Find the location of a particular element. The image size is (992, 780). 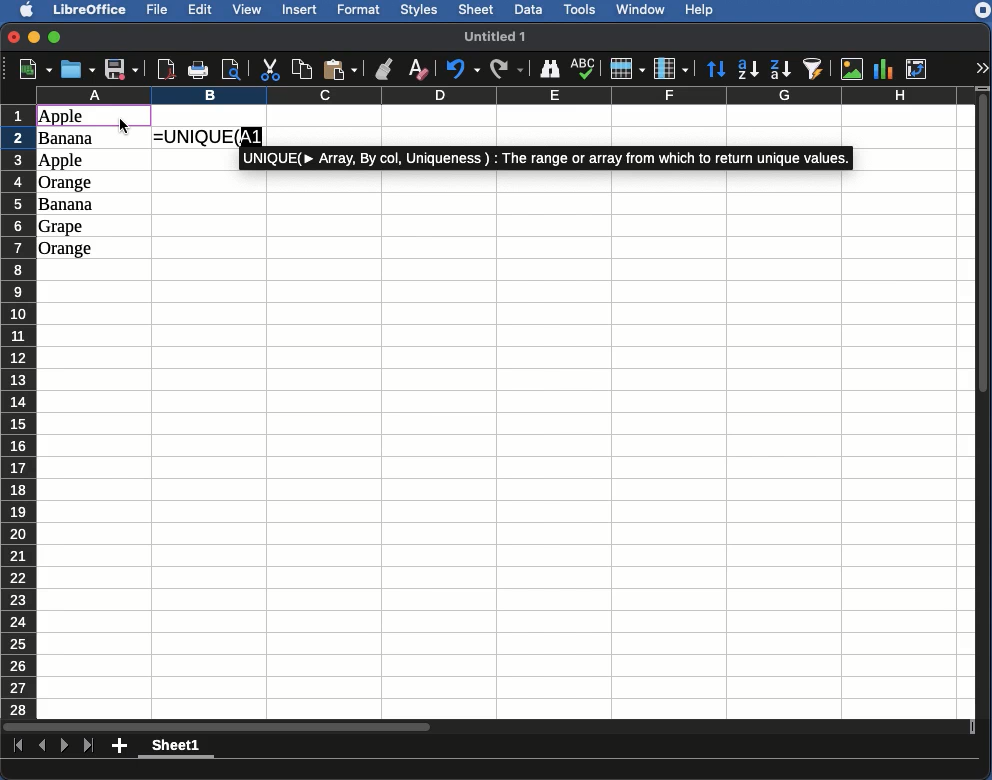

Print is located at coordinates (200, 70).